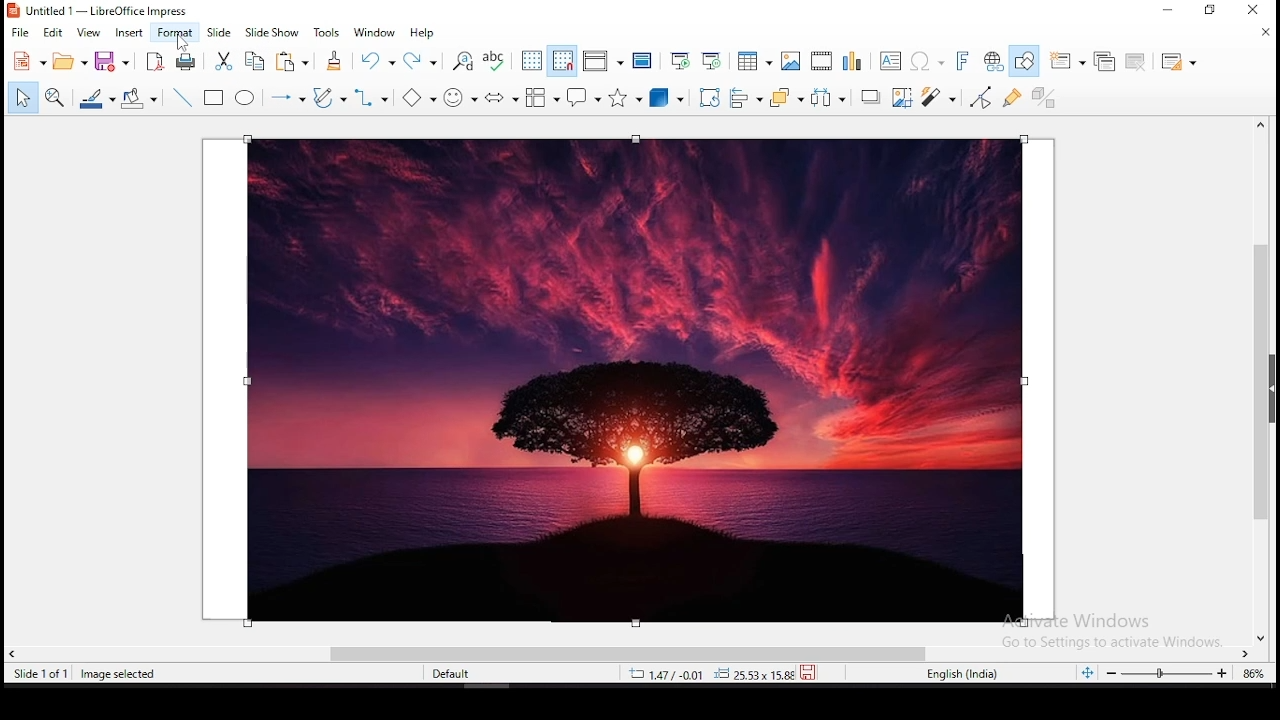 This screenshot has width=1280, height=720. What do you see at coordinates (55, 33) in the screenshot?
I see `edit` at bounding box center [55, 33].